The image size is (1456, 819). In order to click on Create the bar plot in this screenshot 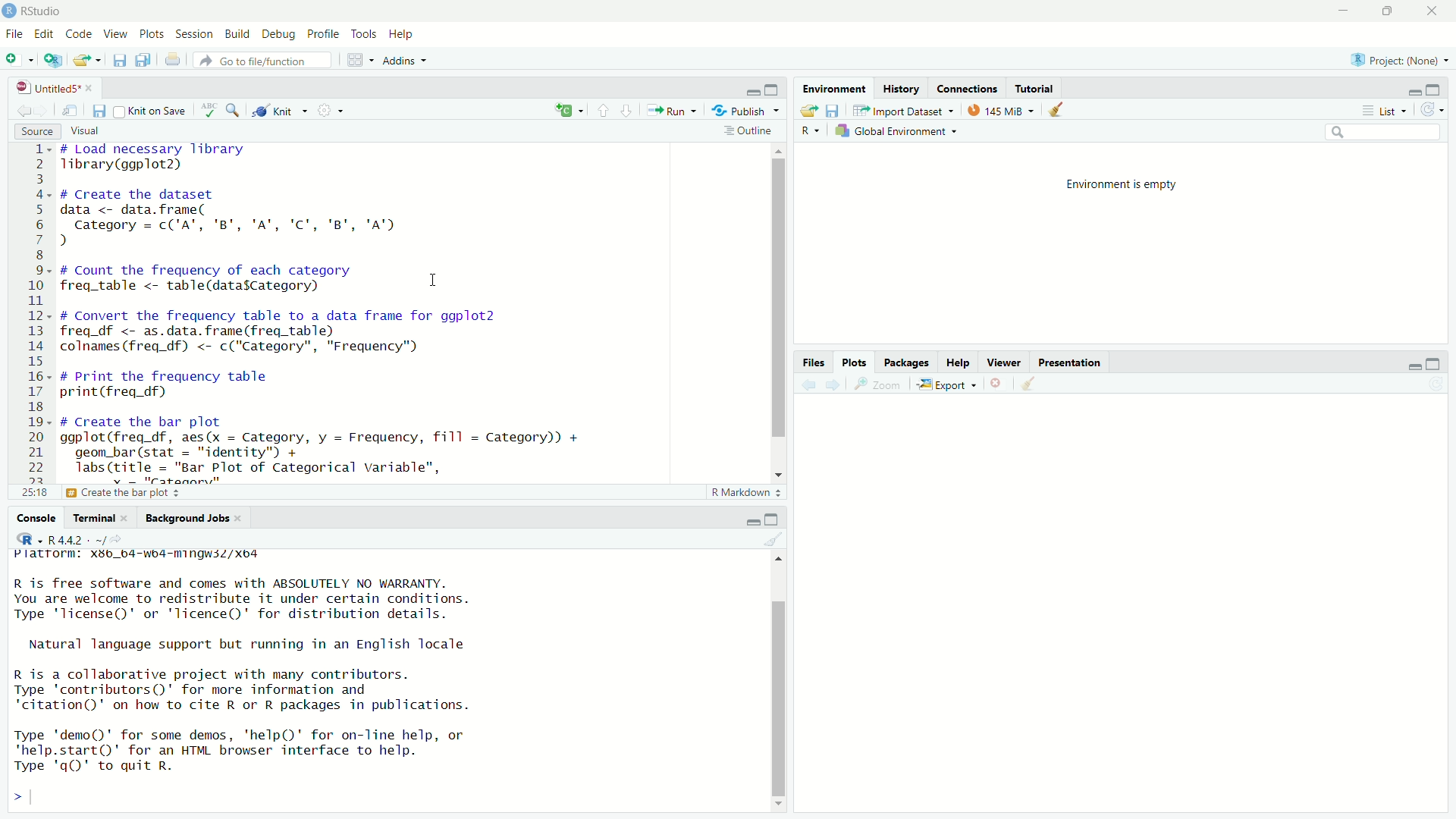, I will do `click(121, 493)`.